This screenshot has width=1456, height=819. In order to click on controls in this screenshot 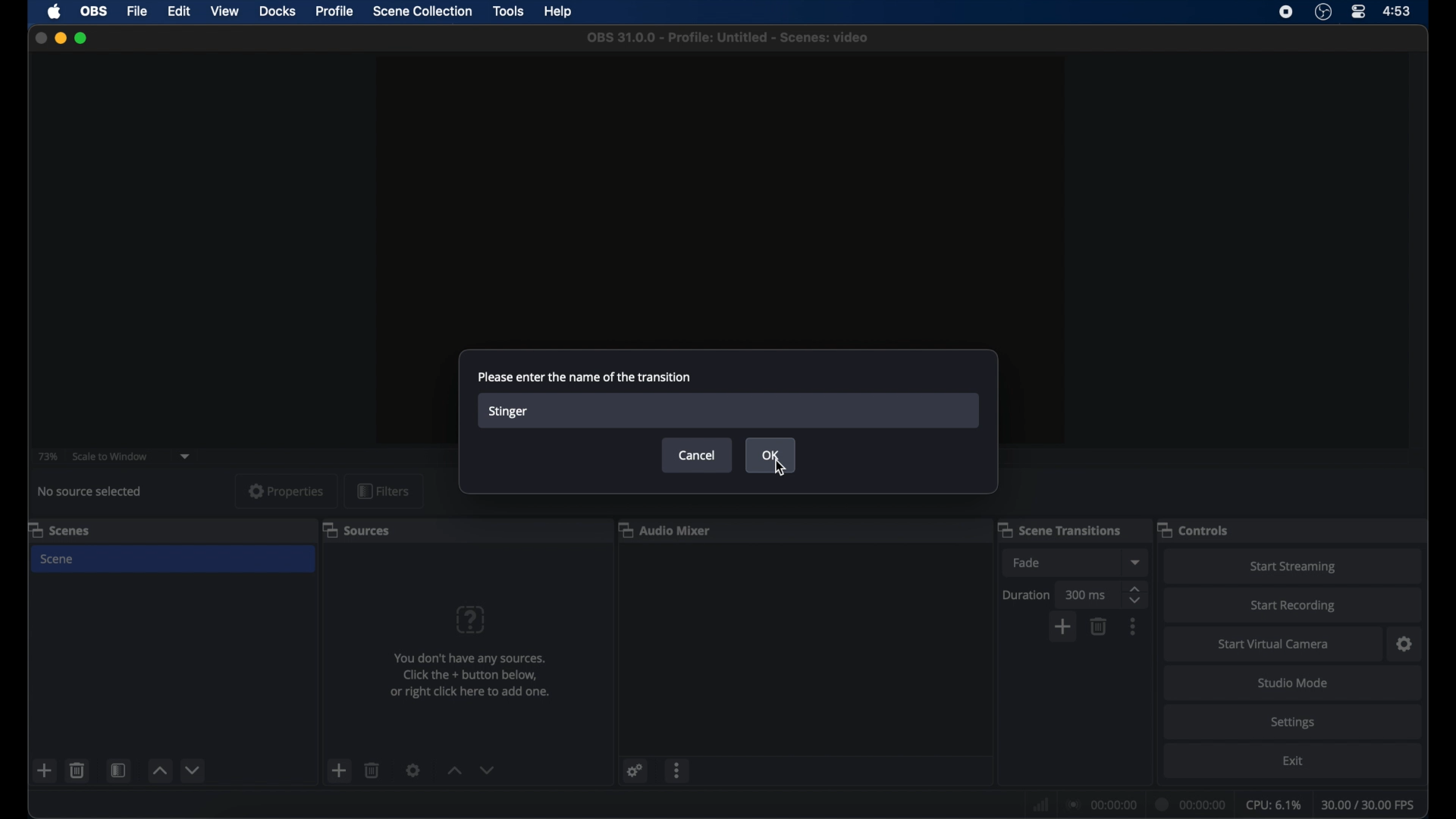, I will do `click(1193, 529)`.